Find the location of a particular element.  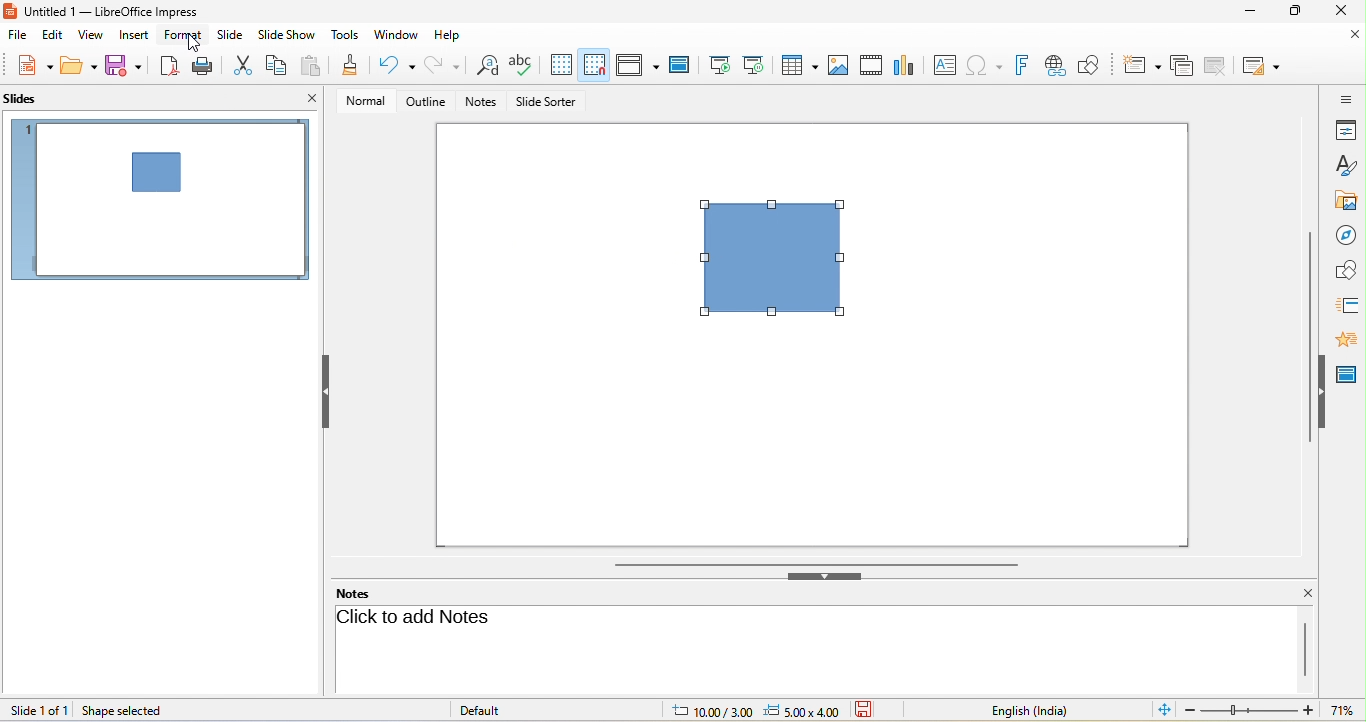

start from current slide is located at coordinates (756, 65).